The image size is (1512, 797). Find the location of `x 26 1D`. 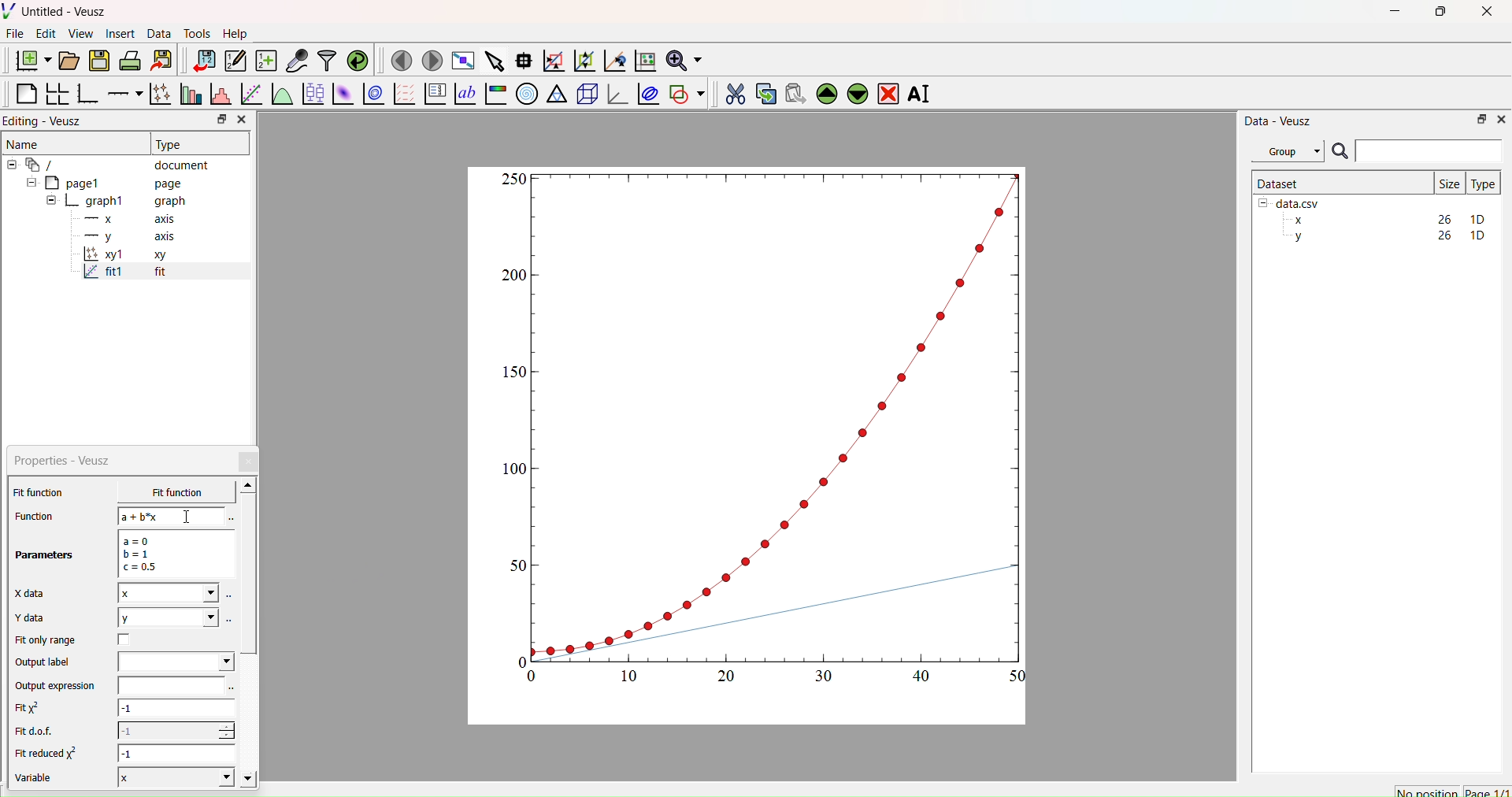

x 26 1D is located at coordinates (1385, 220).